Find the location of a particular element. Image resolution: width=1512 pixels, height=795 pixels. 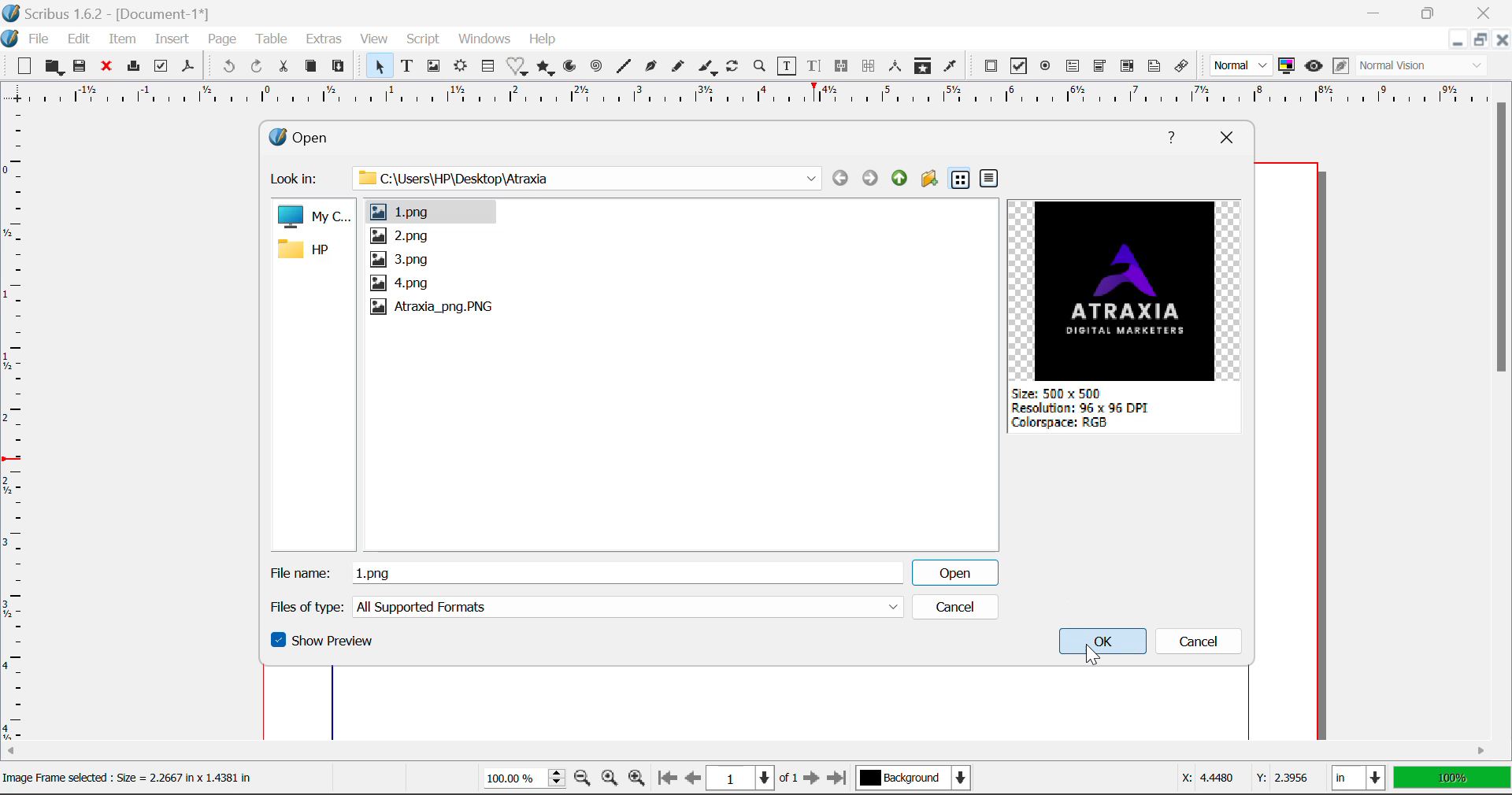

Edit Contents in Frame is located at coordinates (788, 66).